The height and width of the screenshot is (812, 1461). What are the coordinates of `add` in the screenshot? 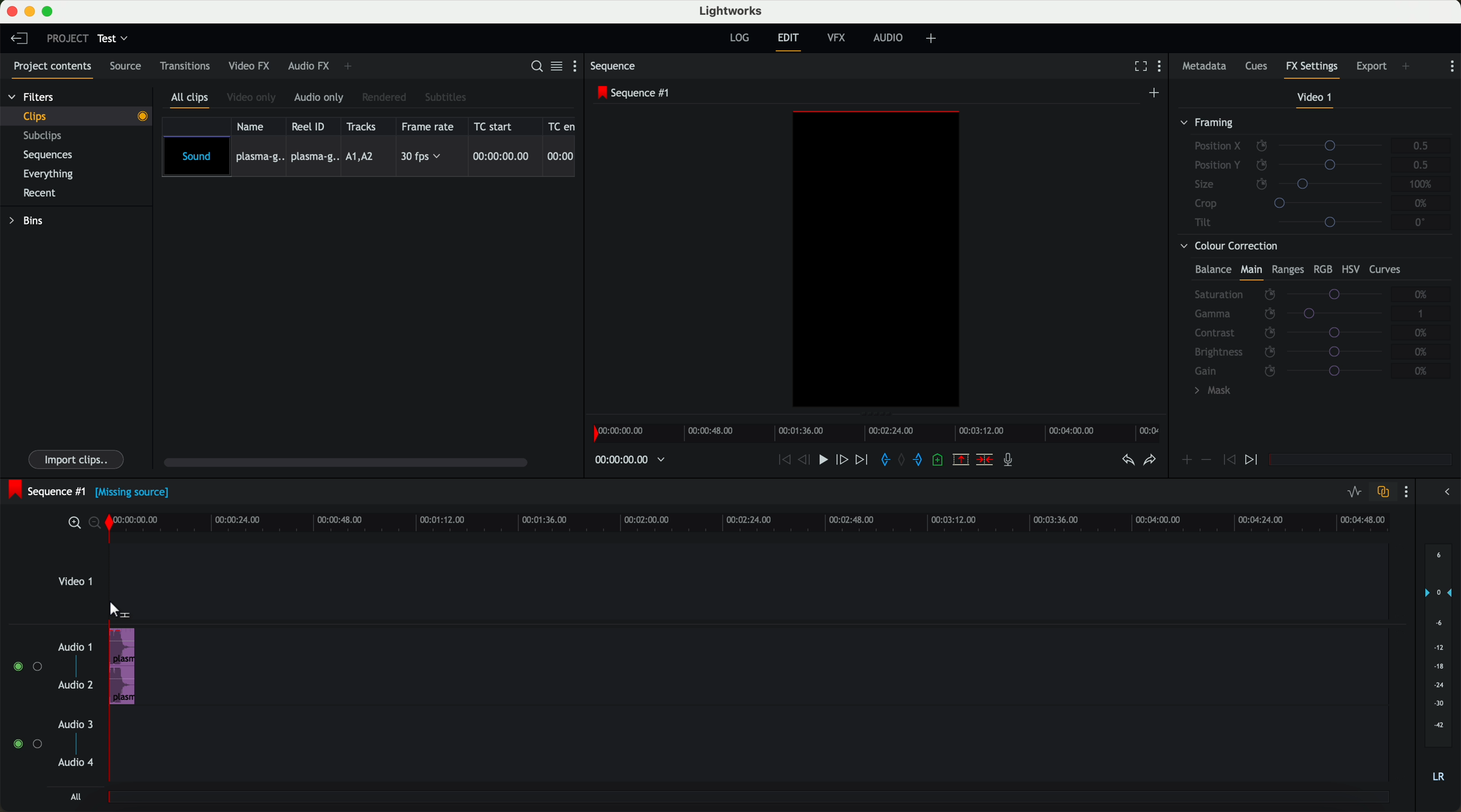 It's located at (1407, 66).